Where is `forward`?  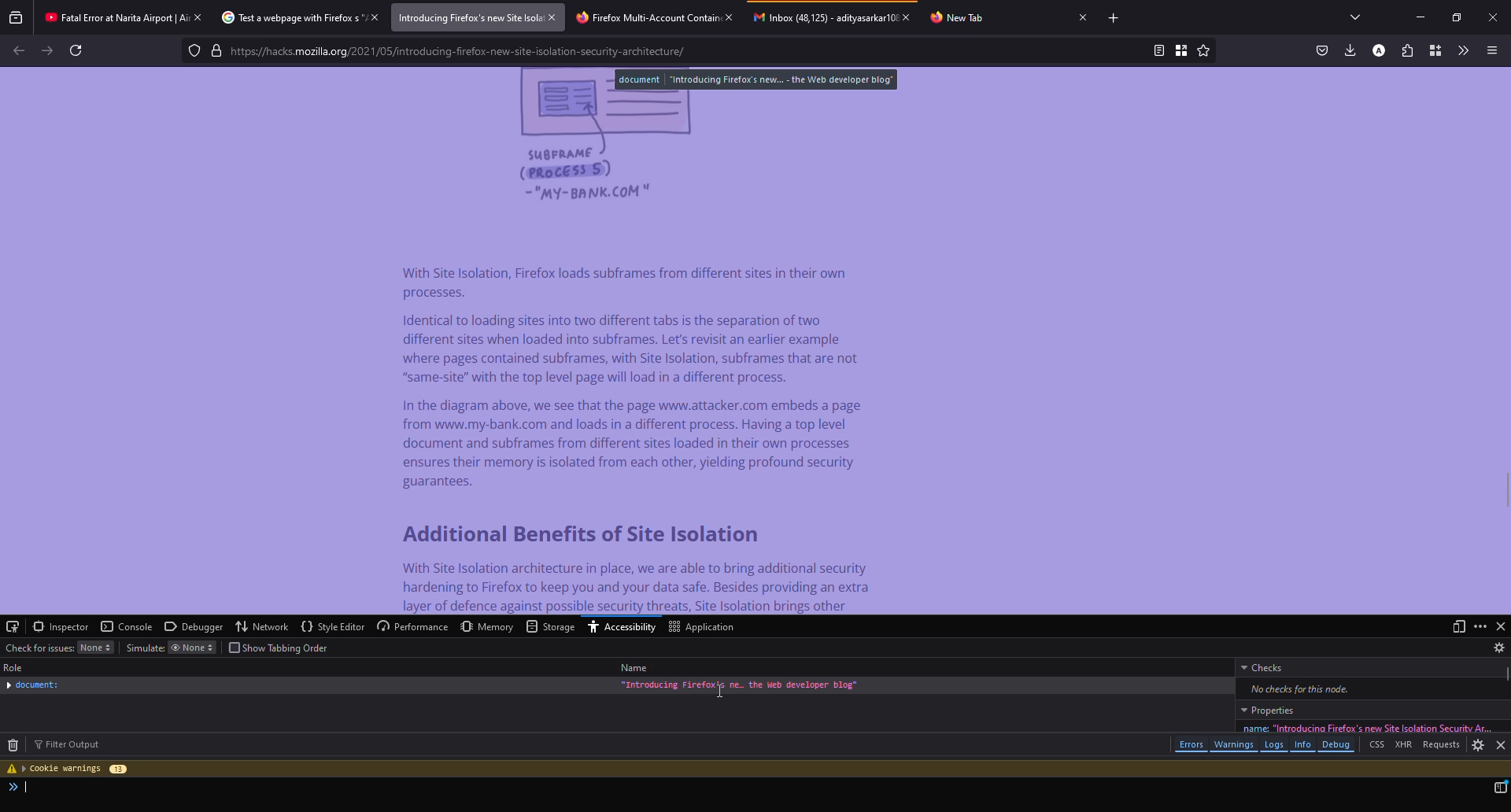
forward is located at coordinates (47, 50).